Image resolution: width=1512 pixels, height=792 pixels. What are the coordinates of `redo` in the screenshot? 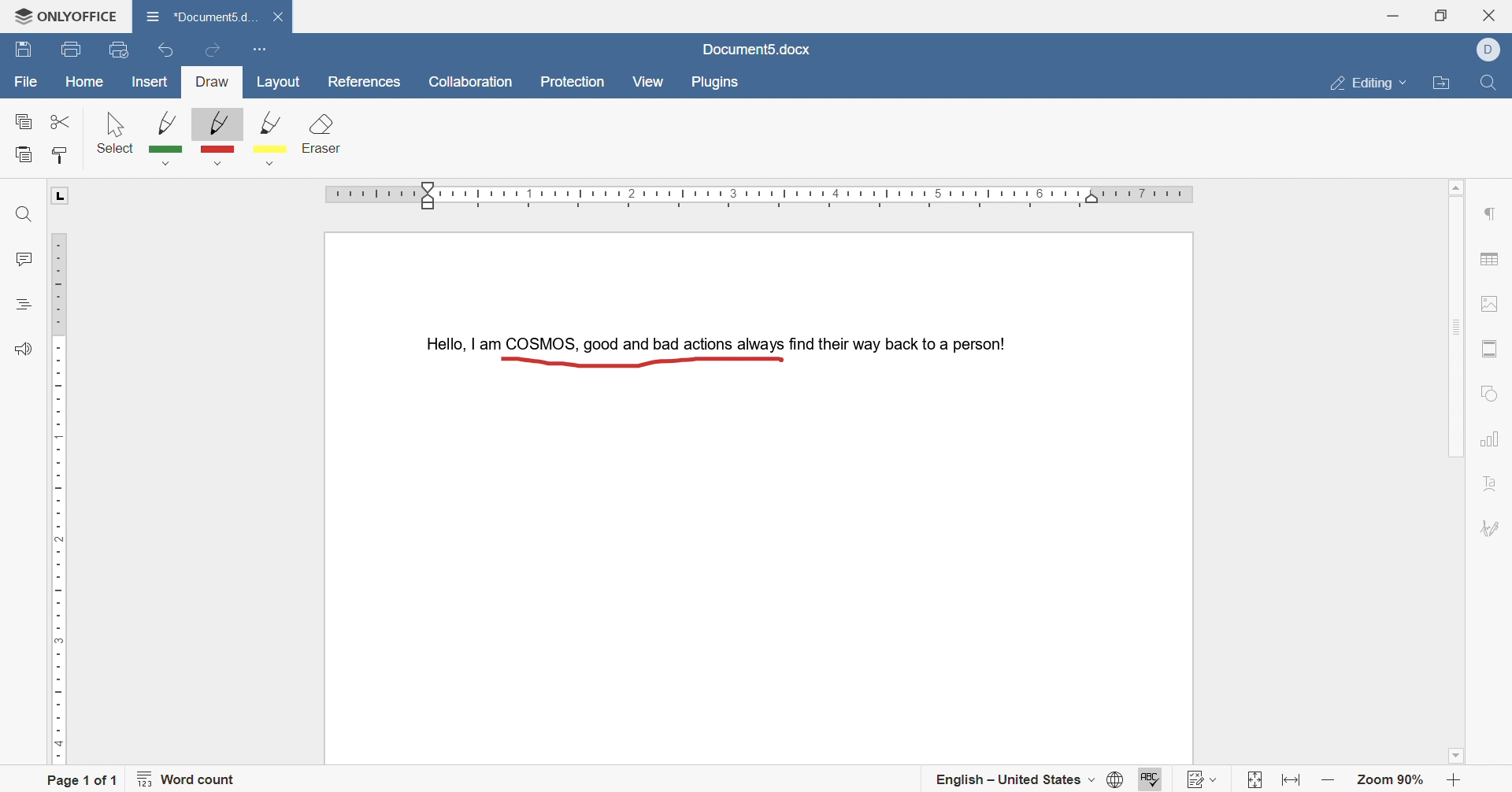 It's located at (213, 46).